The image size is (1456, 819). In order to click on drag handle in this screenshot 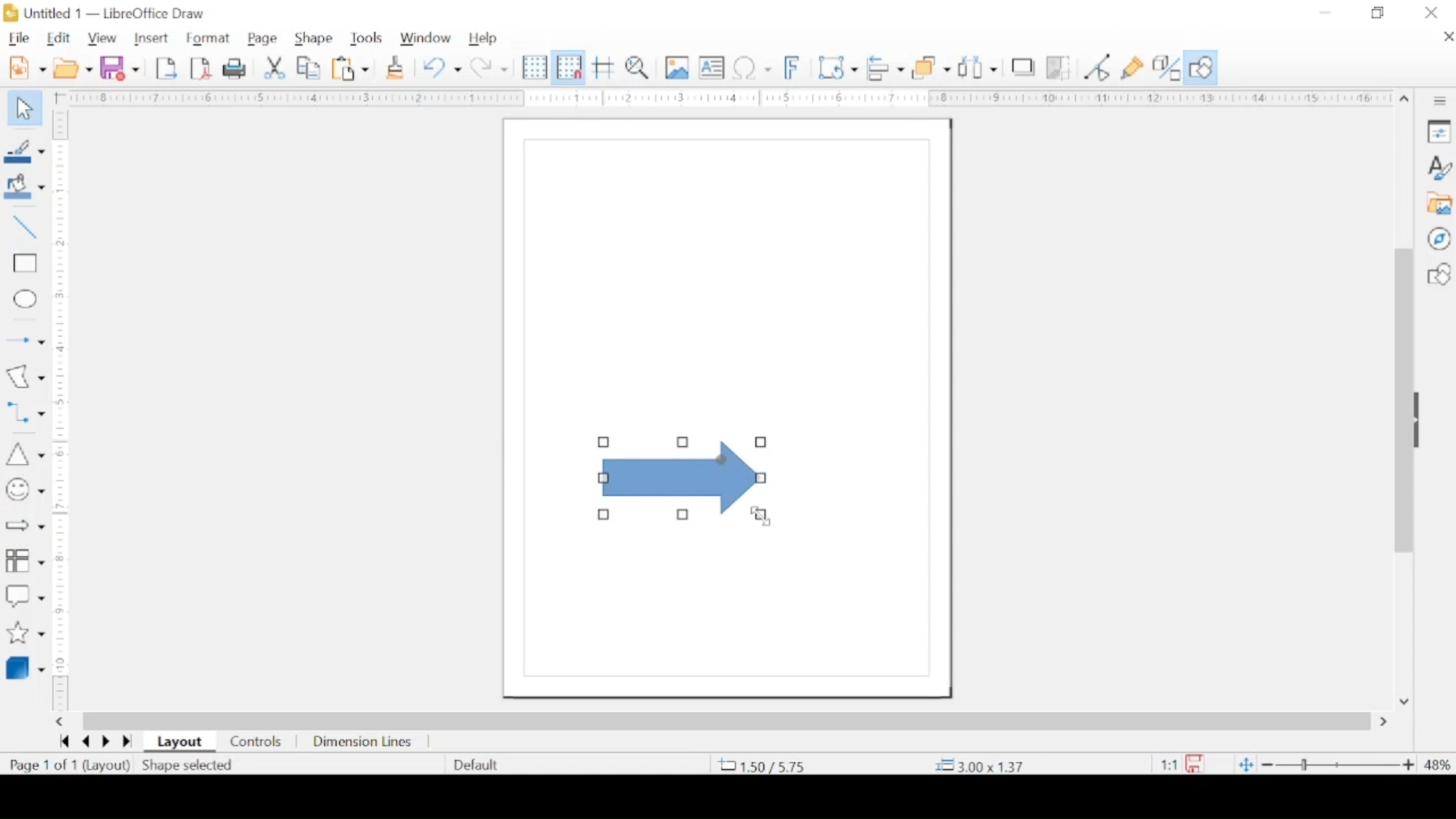, I will do `click(1421, 419)`.